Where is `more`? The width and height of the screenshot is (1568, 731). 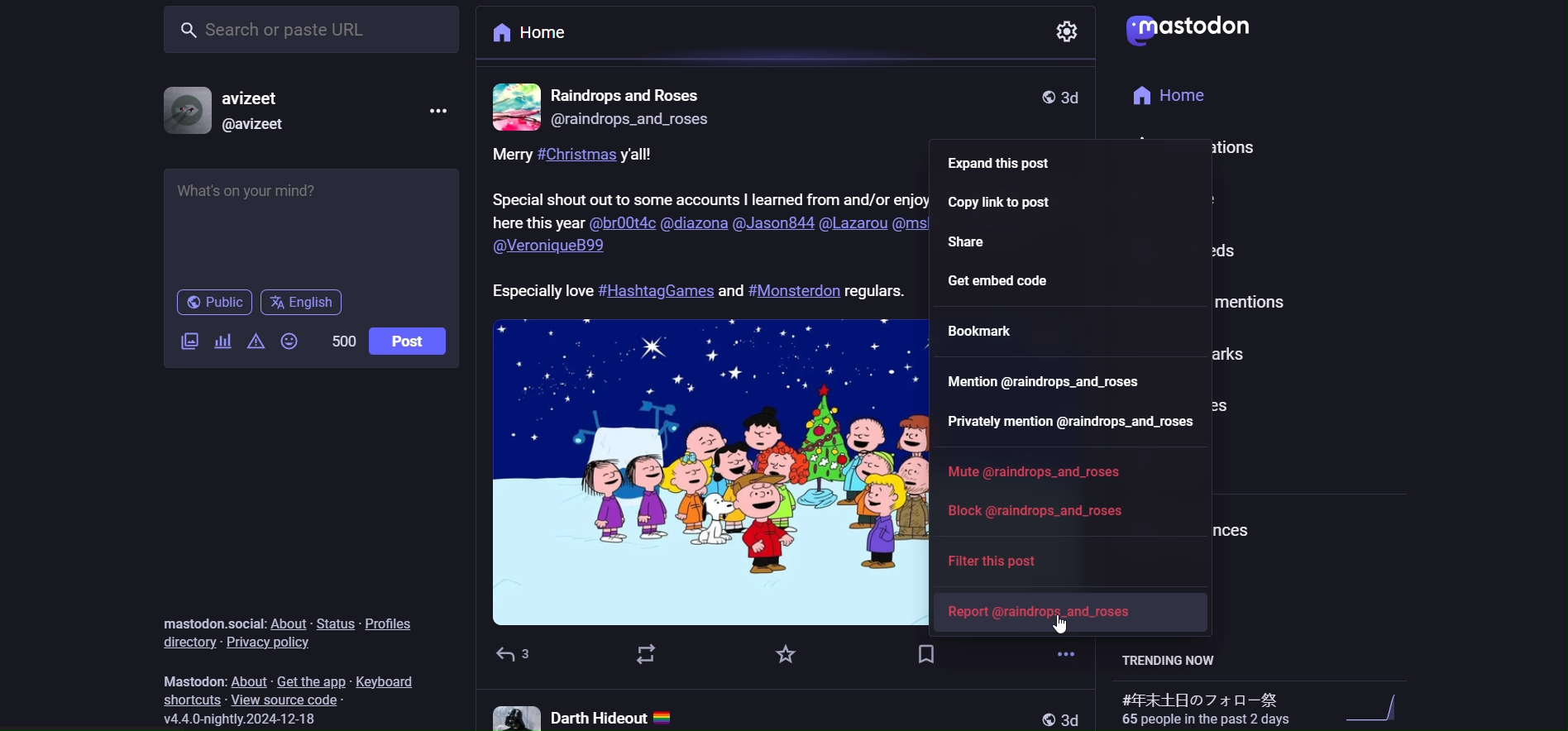 more is located at coordinates (443, 112).